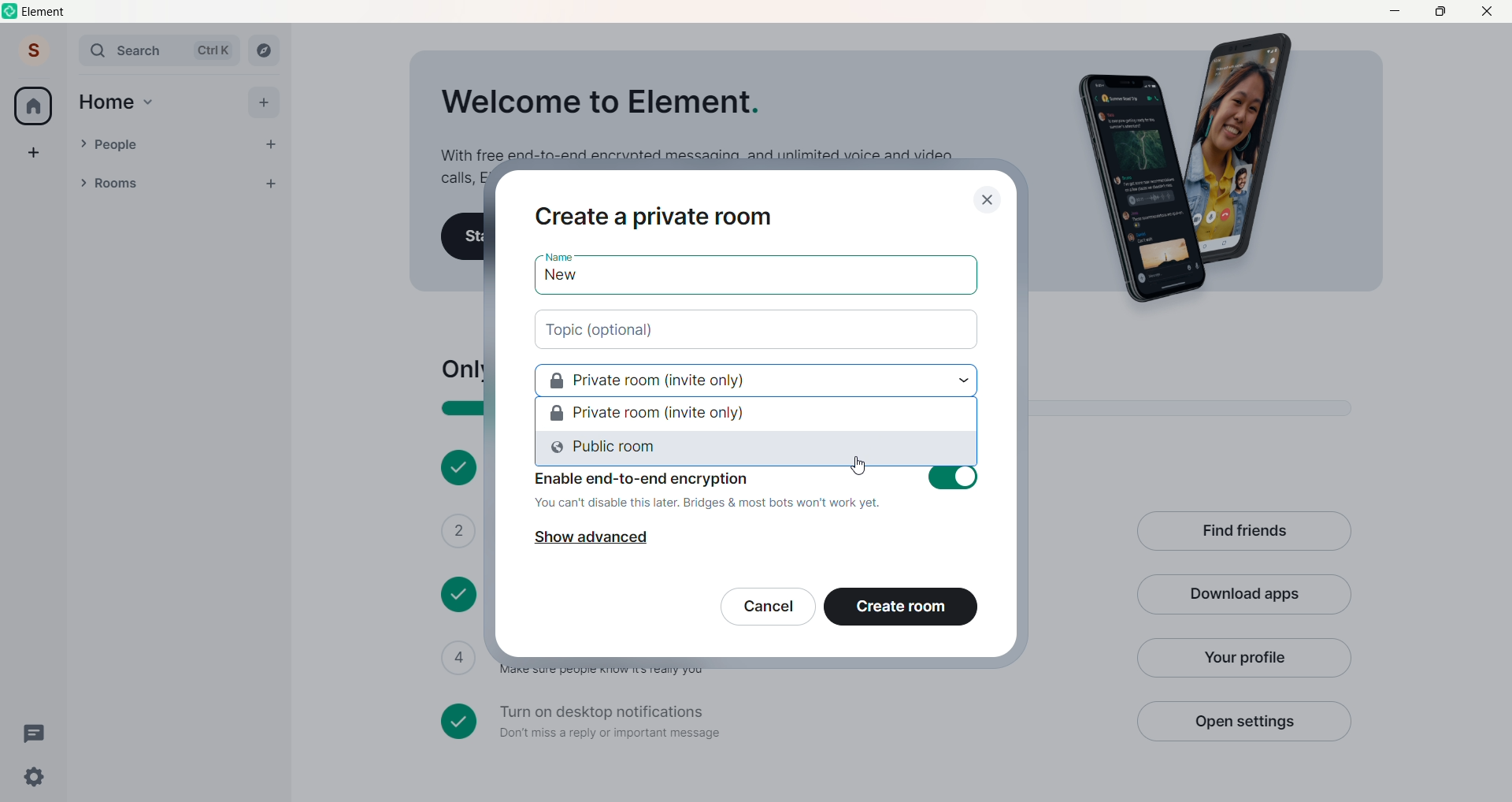 The width and height of the screenshot is (1512, 802). Describe the element at coordinates (758, 492) in the screenshot. I see `Enable end-to-end encryption
You can't disable this later. Bridges & most bots won't work yet.` at that location.